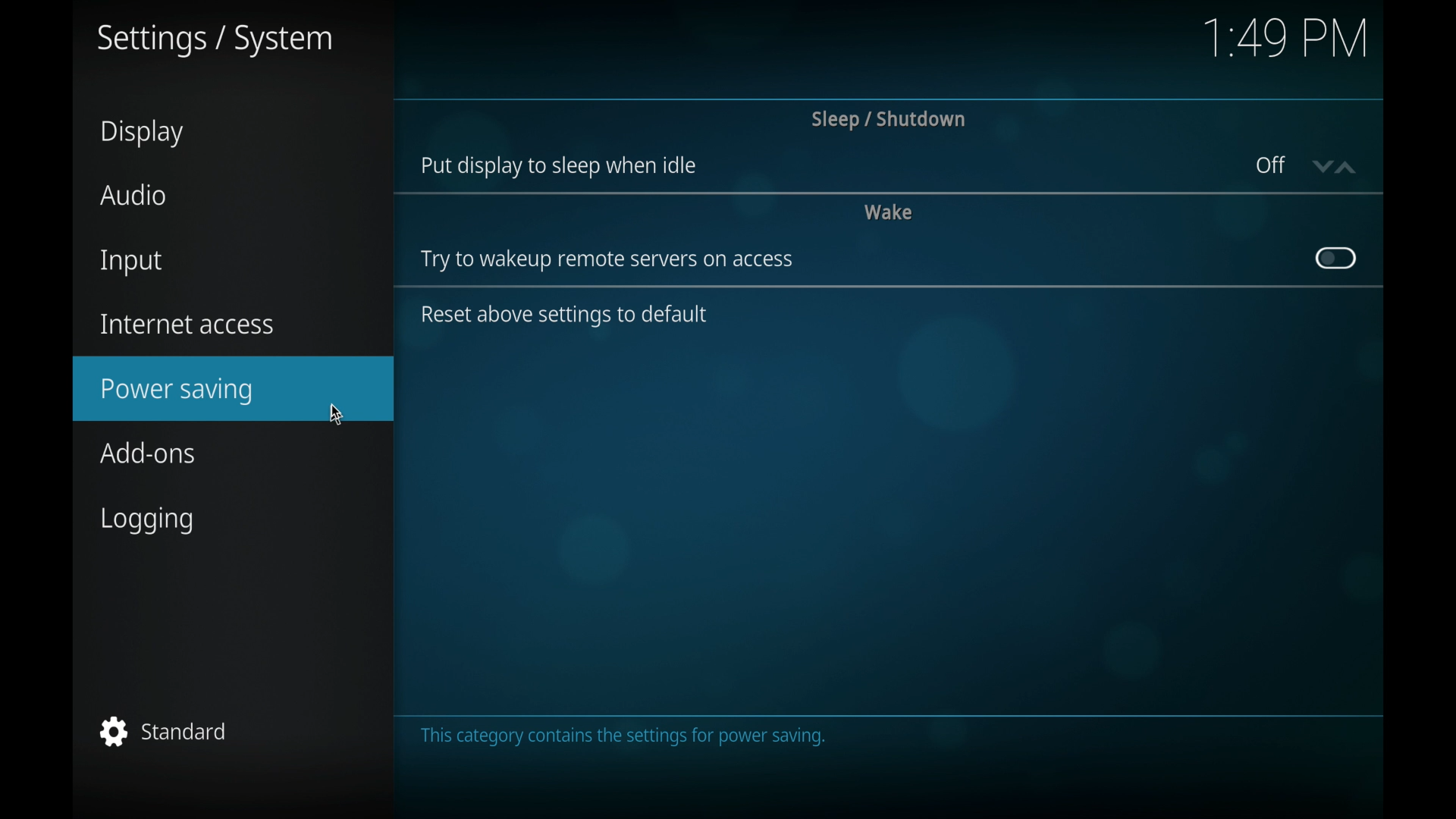 The width and height of the screenshot is (1456, 819). I want to click on add-ons, so click(150, 453).